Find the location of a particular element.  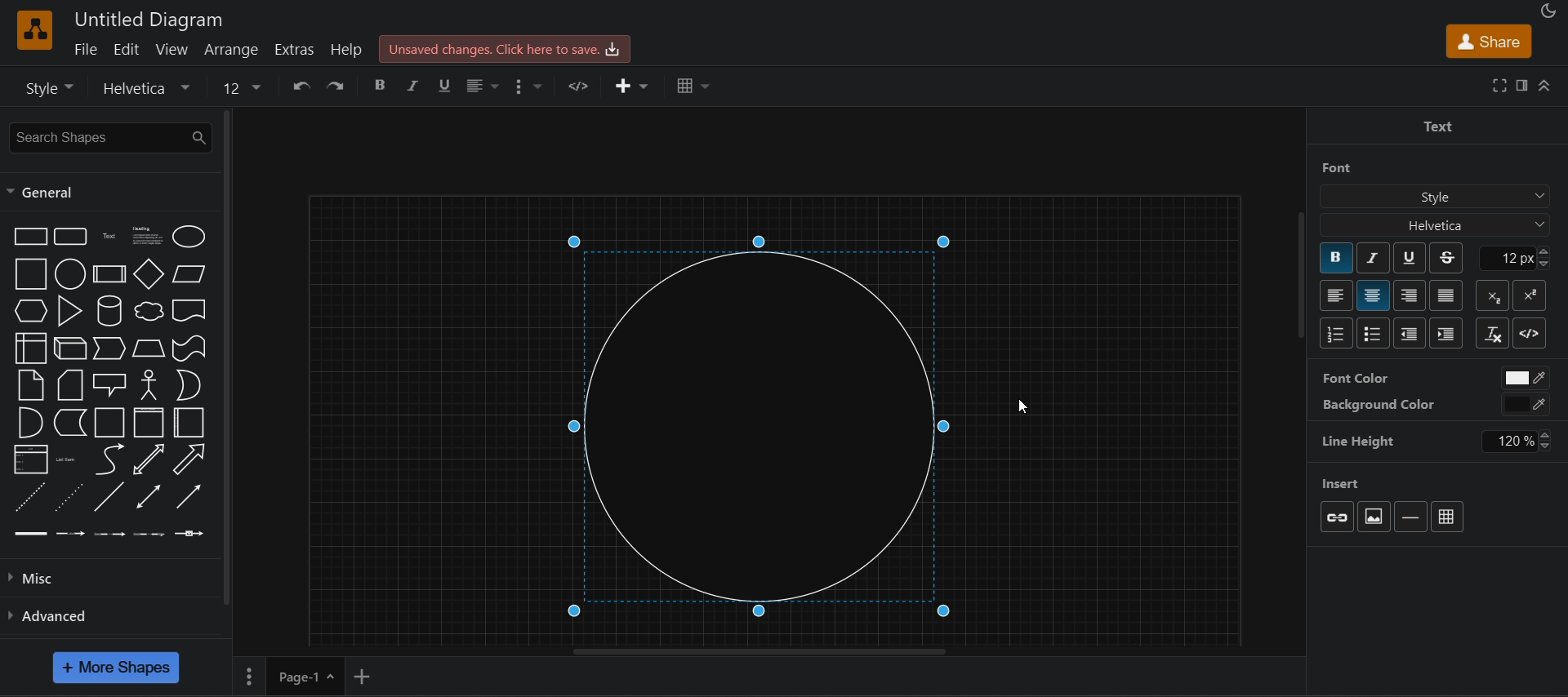

center align is located at coordinates (1375, 296).